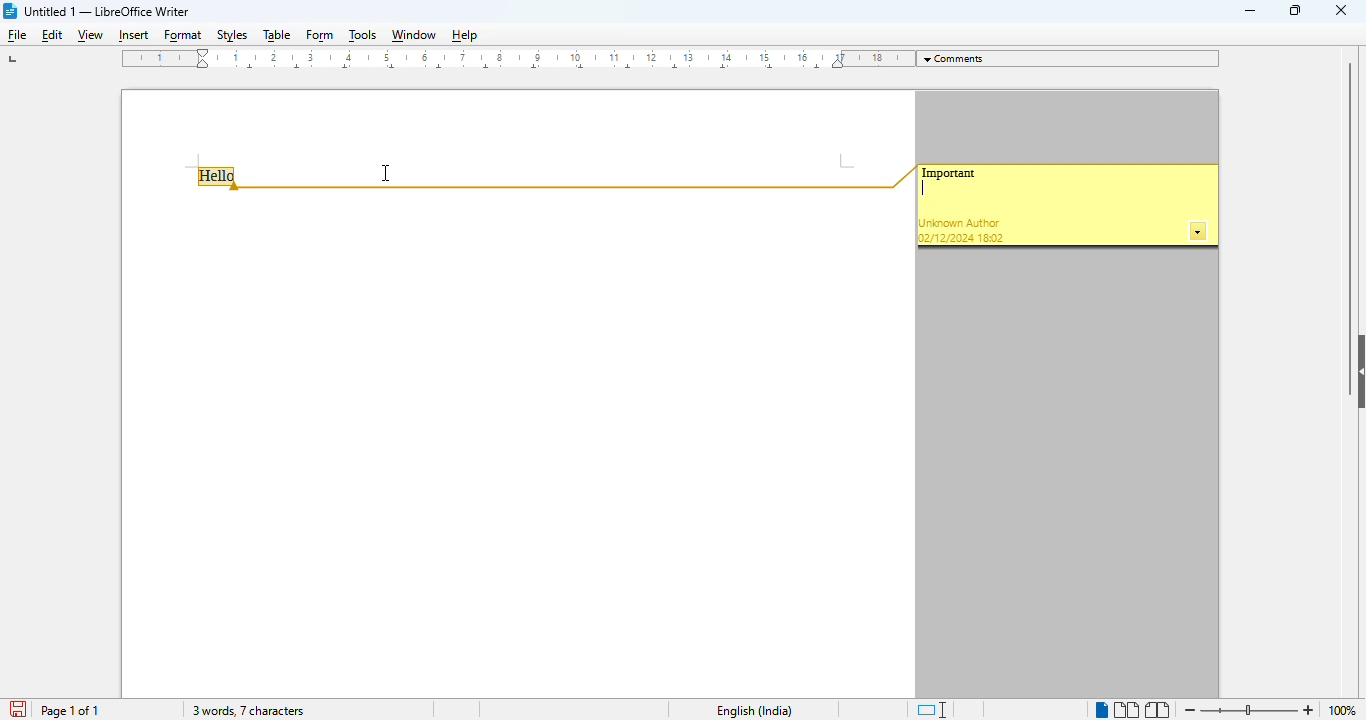 This screenshot has width=1366, height=720. I want to click on single-page view, so click(1101, 711).